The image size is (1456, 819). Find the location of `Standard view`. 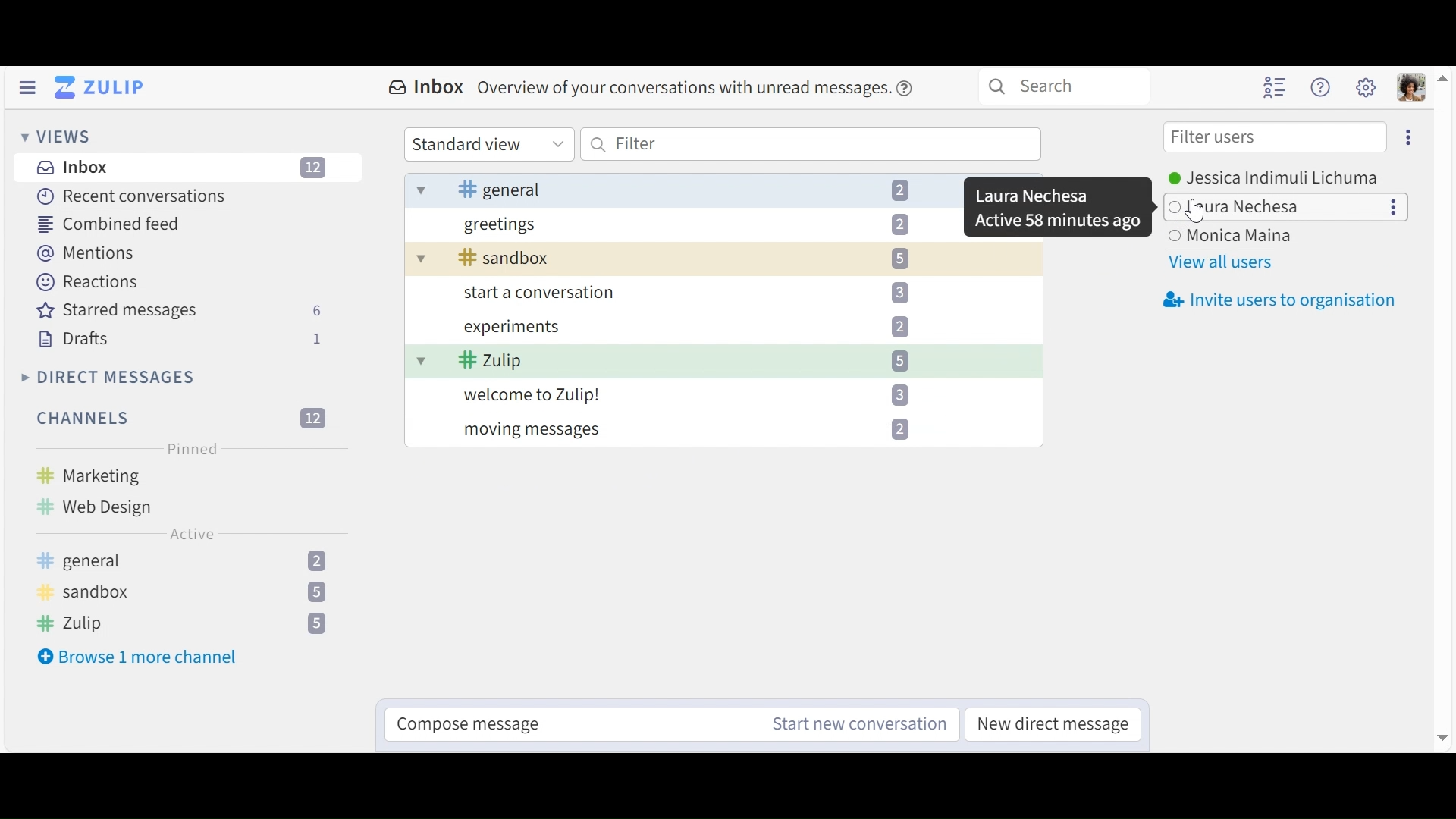

Standard view is located at coordinates (488, 144).